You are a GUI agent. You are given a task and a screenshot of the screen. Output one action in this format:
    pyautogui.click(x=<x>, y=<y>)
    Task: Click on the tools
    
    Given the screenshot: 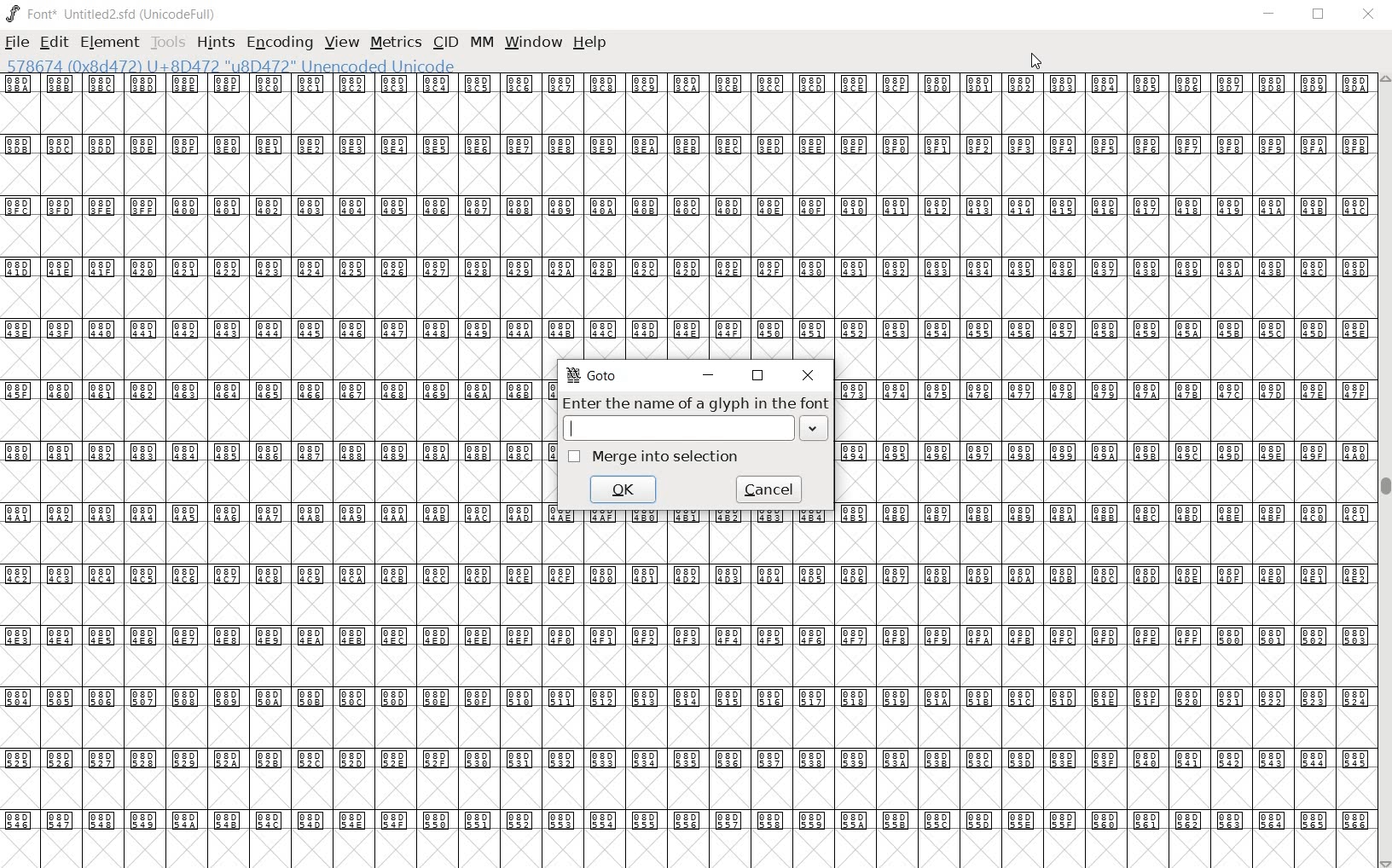 What is the action you would take?
    pyautogui.click(x=167, y=43)
    